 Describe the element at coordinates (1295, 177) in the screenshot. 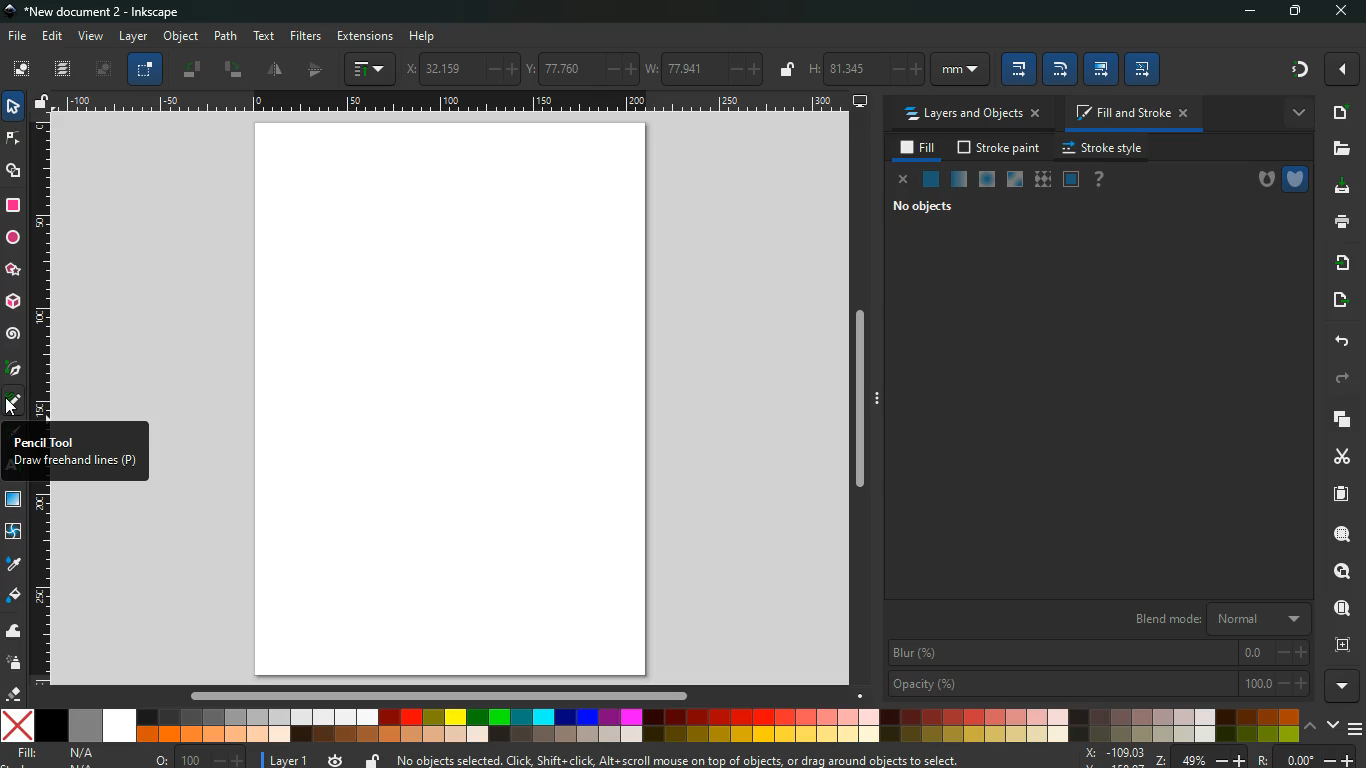

I see `shield` at that location.